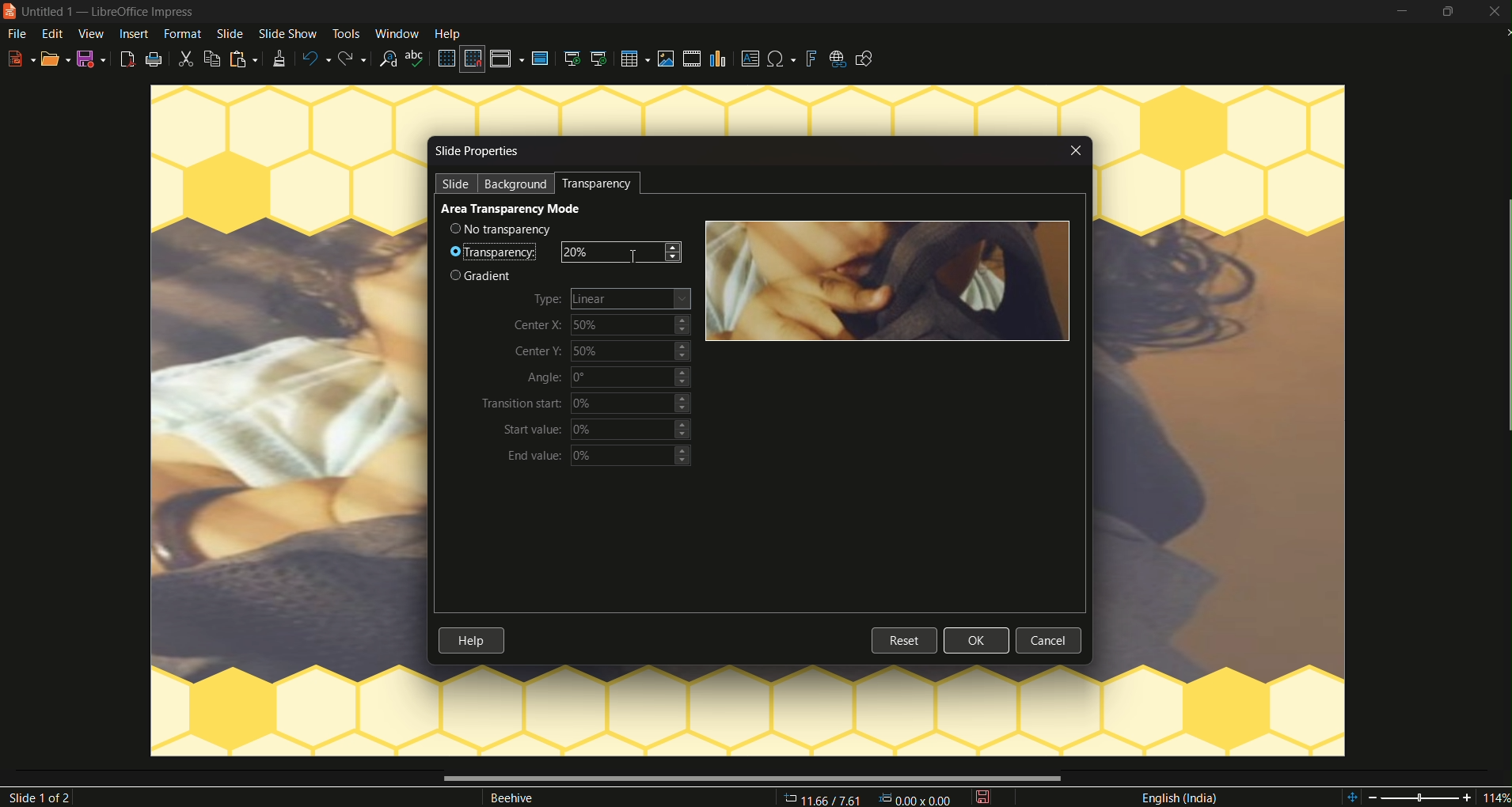  Describe the element at coordinates (518, 798) in the screenshot. I see `Beehive` at that location.